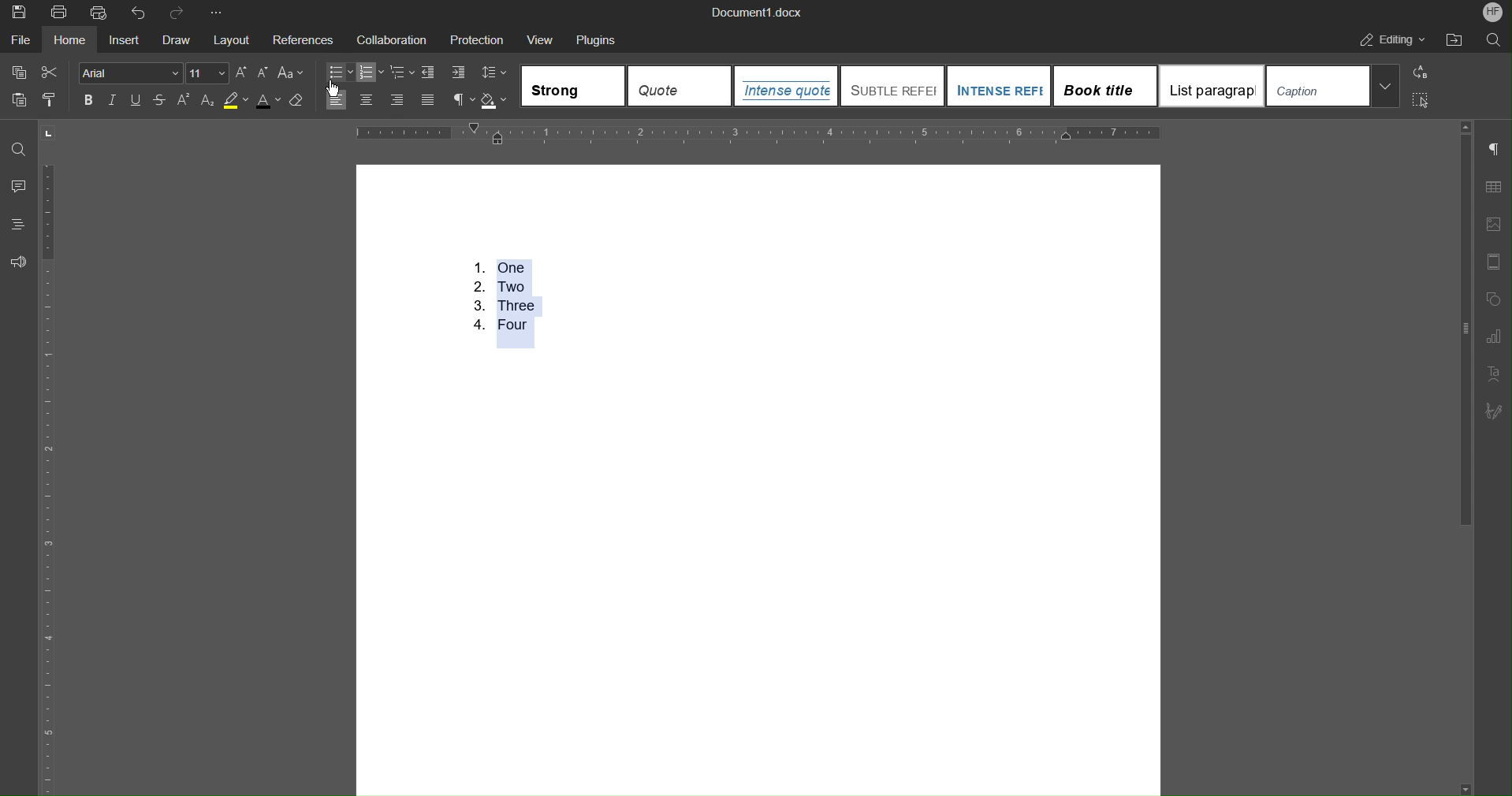 This screenshot has height=796, width=1512. What do you see at coordinates (1492, 299) in the screenshot?
I see `Shape Settings` at bounding box center [1492, 299].